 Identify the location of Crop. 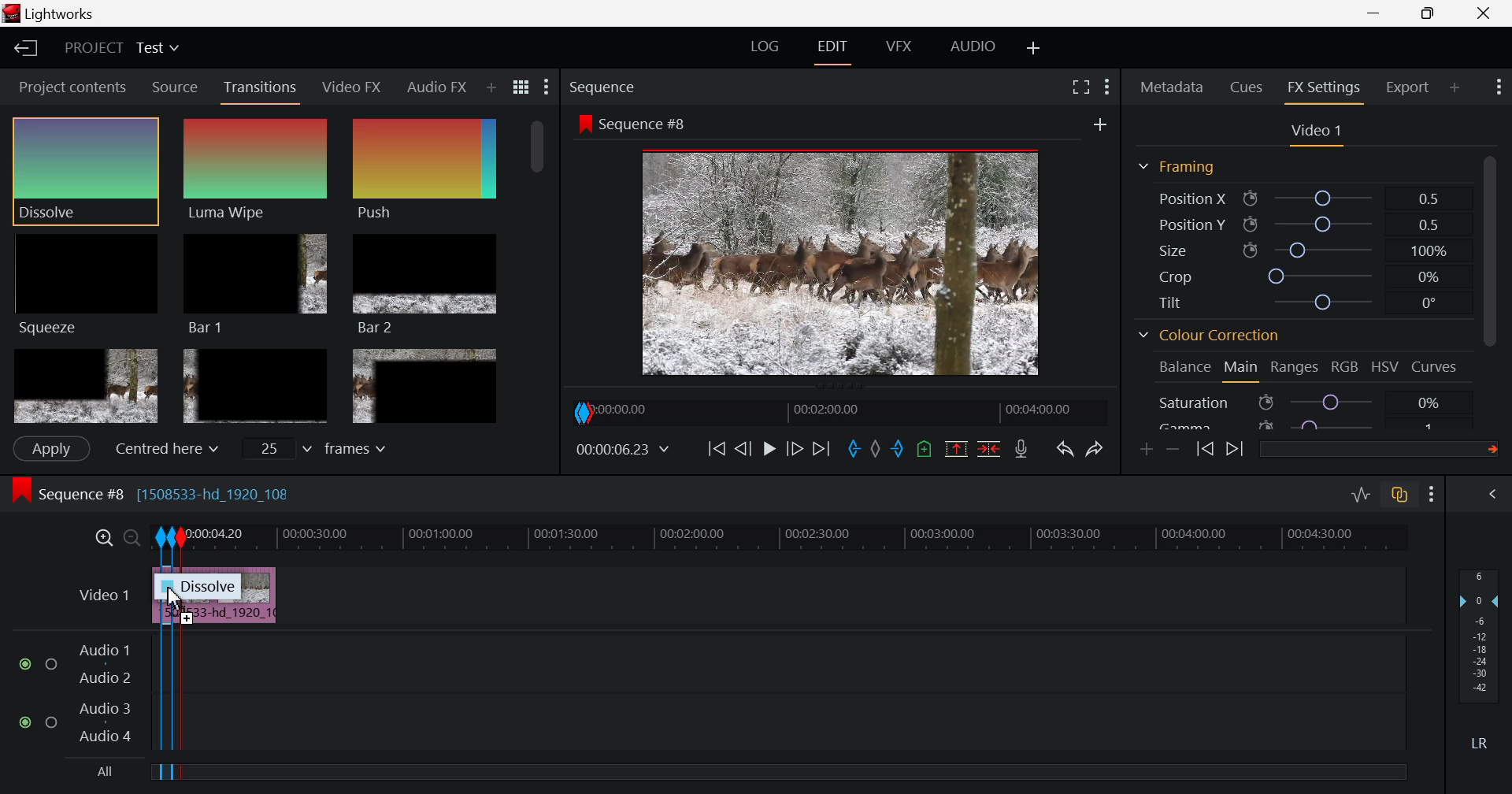
(1300, 276).